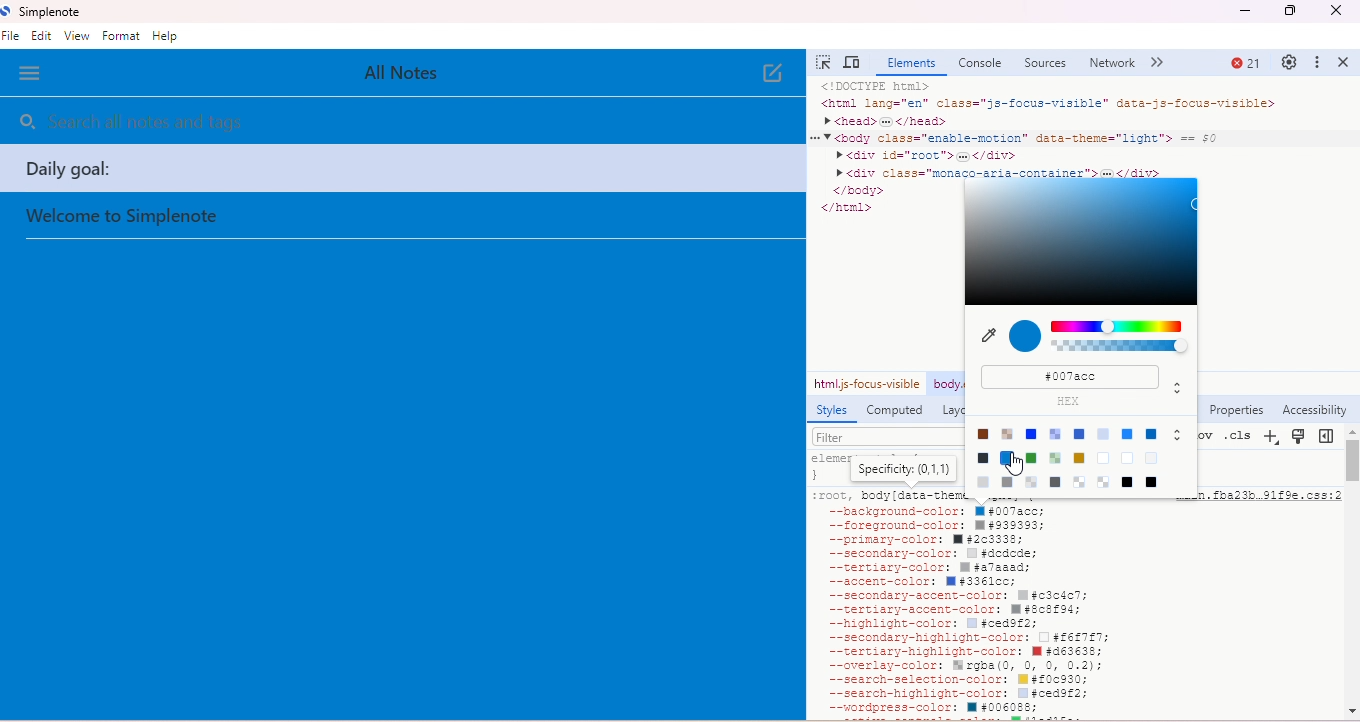 The height and width of the screenshot is (722, 1360). Describe the element at coordinates (853, 63) in the screenshot. I see `toggle device toolbar` at that location.